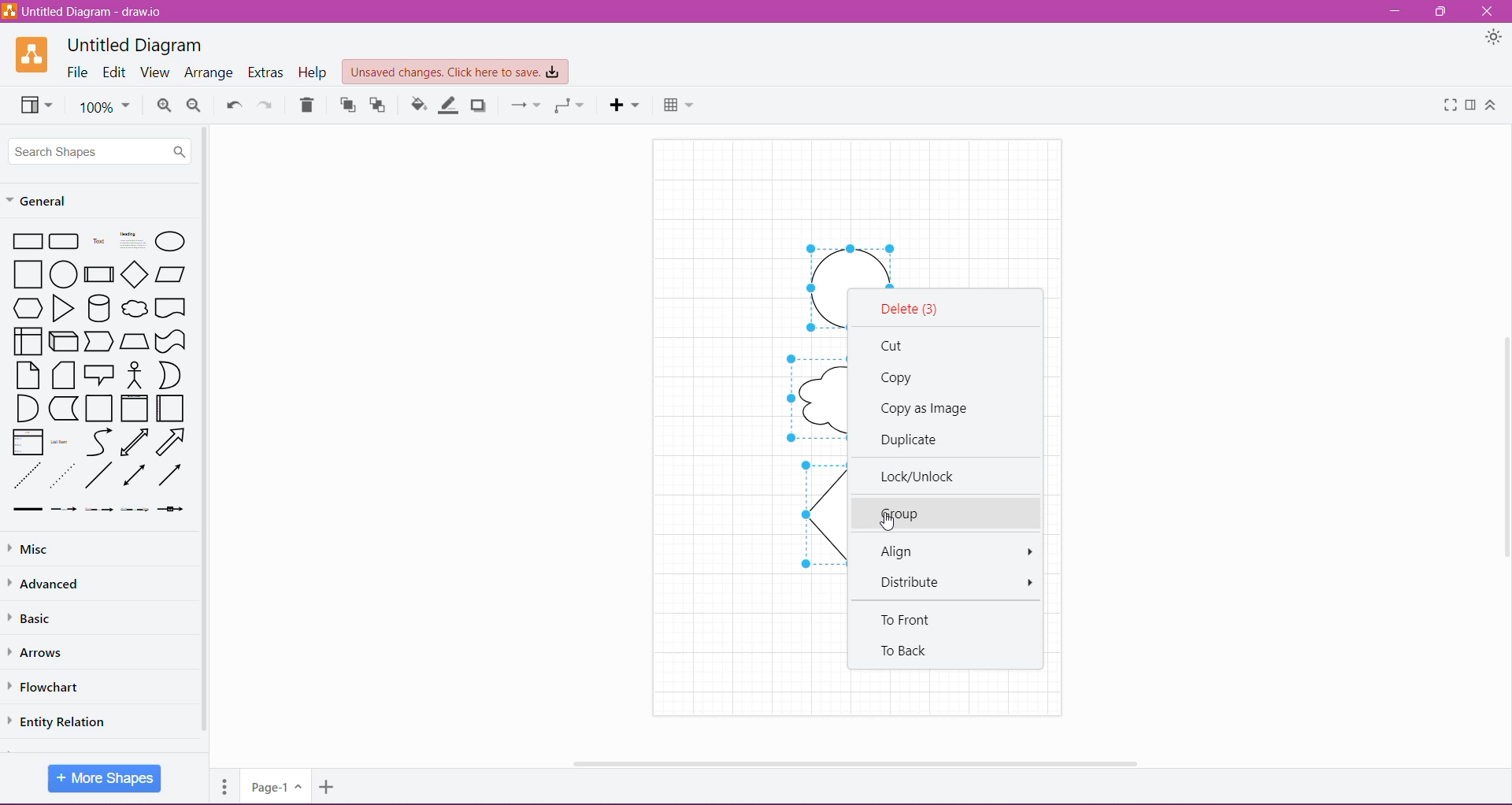  I want to click on Vertical Scroll Bar, so click(1502, 443).